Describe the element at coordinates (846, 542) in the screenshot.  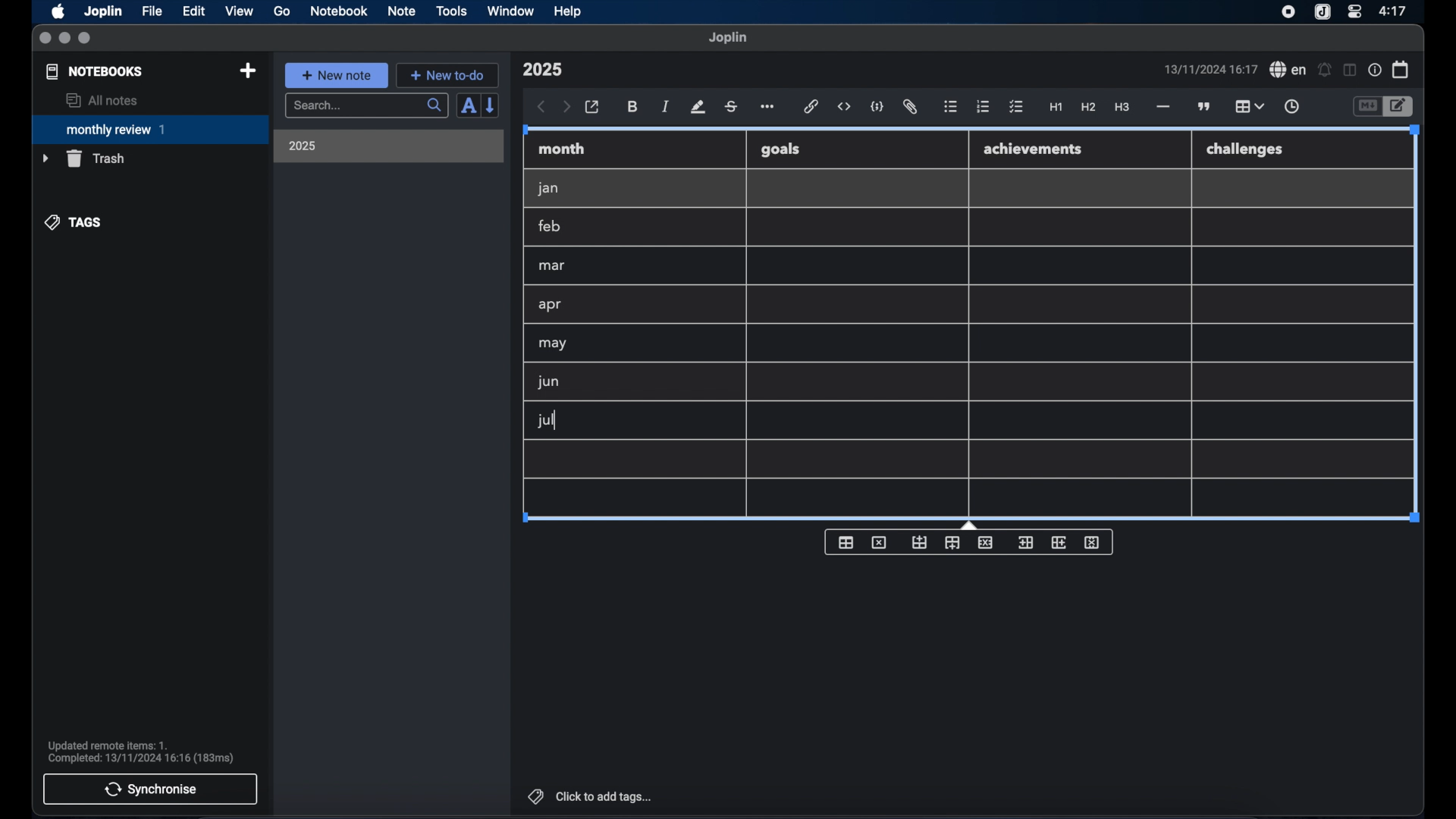
I see `insert table` at that location.